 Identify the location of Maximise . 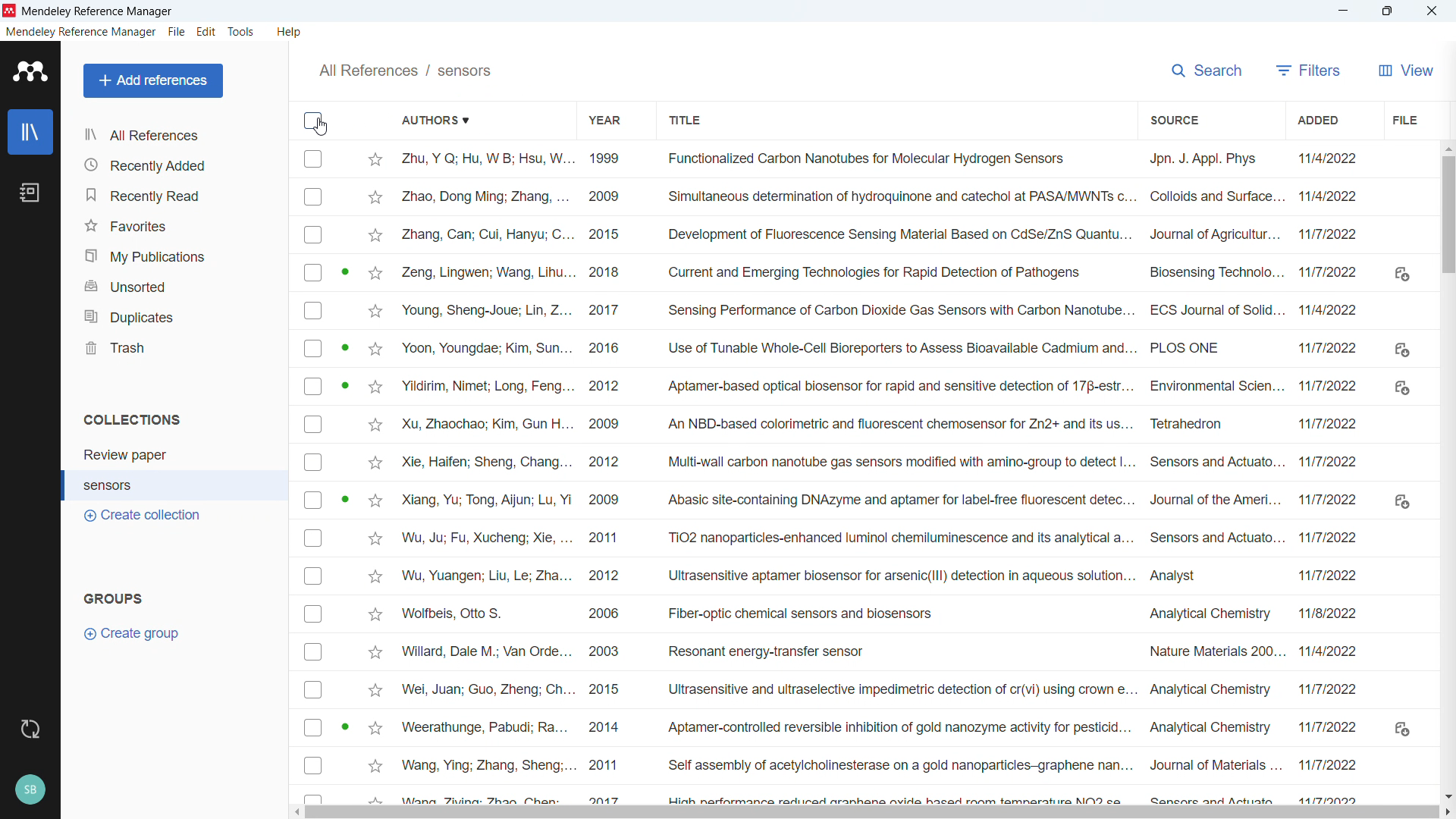
(1385, 11).